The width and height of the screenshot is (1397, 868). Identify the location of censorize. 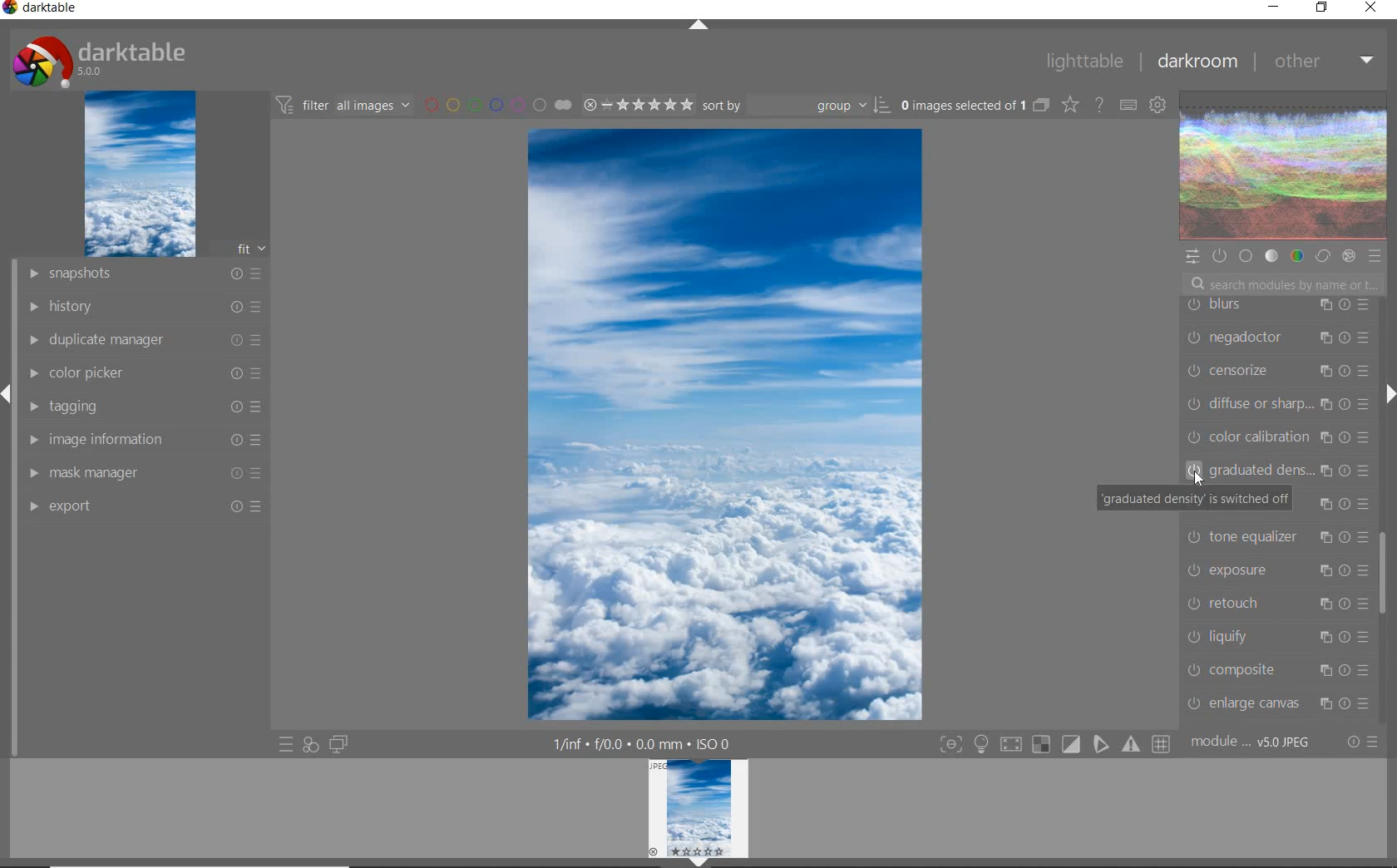
(1276, 372).